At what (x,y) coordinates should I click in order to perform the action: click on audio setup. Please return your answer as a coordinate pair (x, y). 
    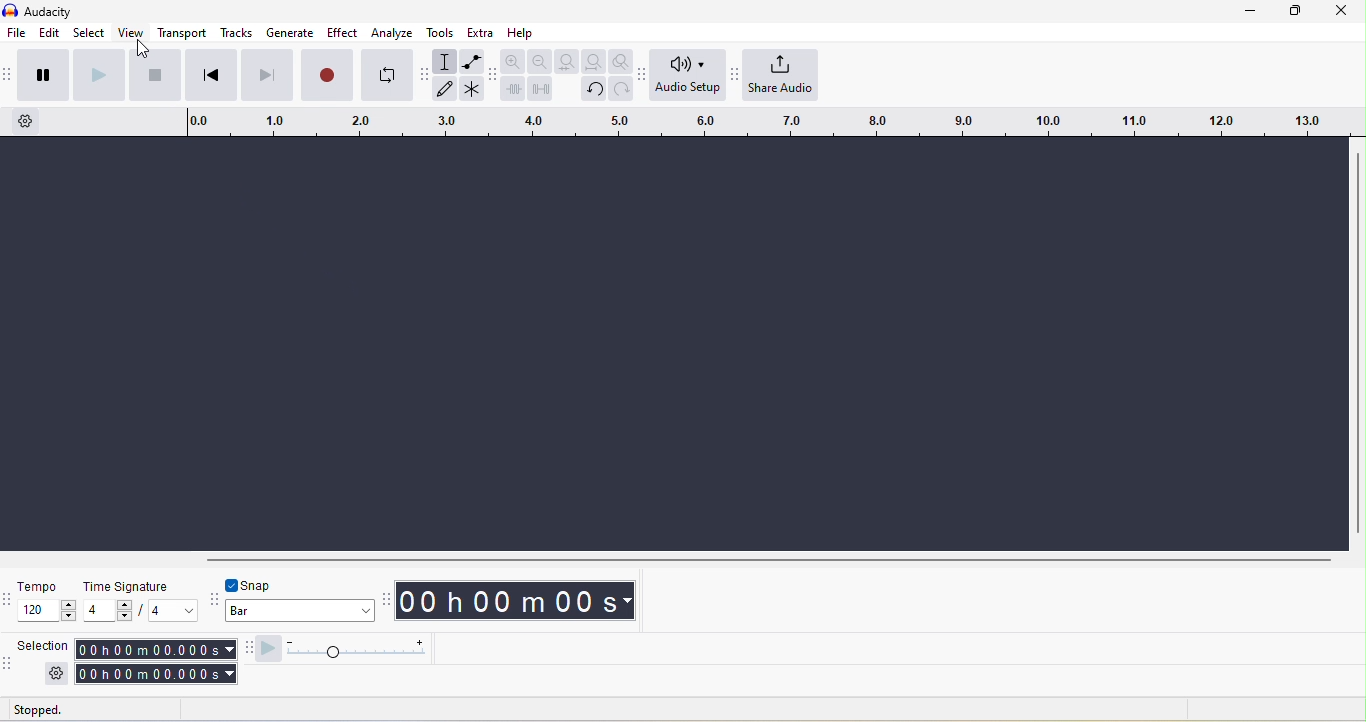
    Looking at the image, I should click on (688, 74).